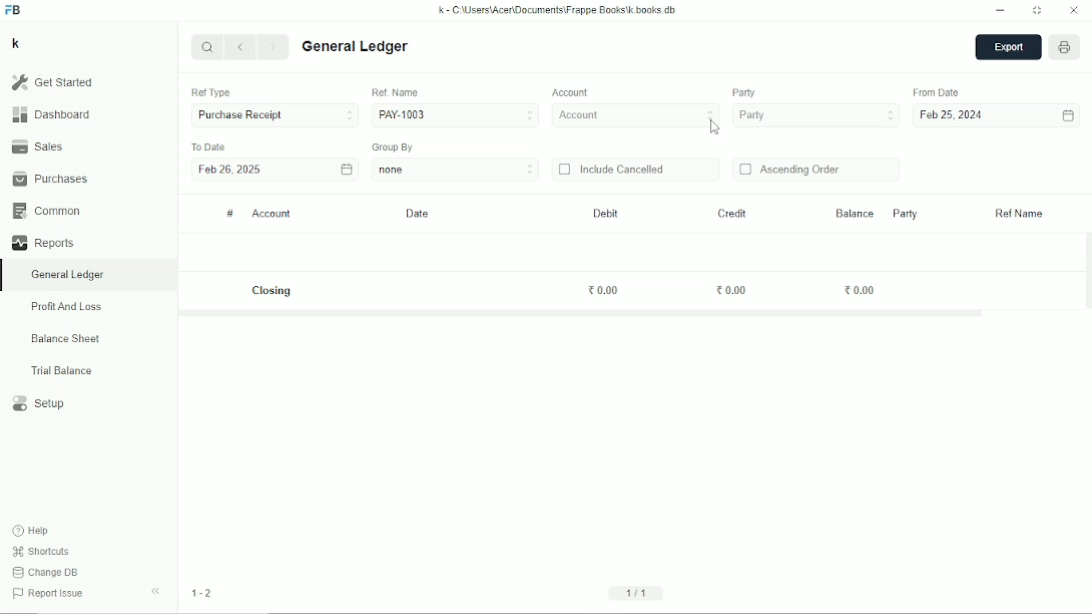  What do you see at coordinates (938, 92) in the screenshot?
I see `From date` at bounding box center [938, 92].